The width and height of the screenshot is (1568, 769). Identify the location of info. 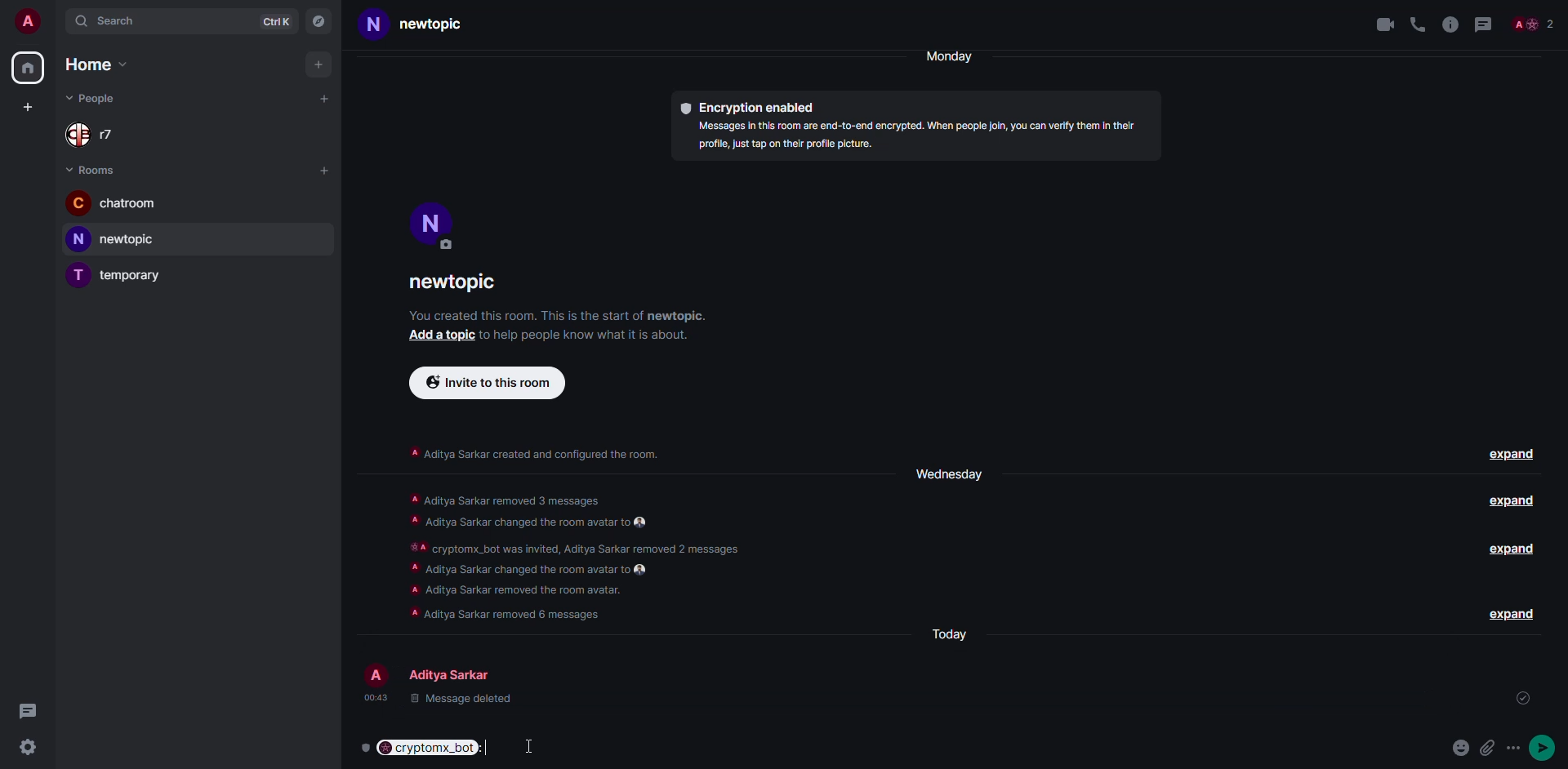
(576, 558).